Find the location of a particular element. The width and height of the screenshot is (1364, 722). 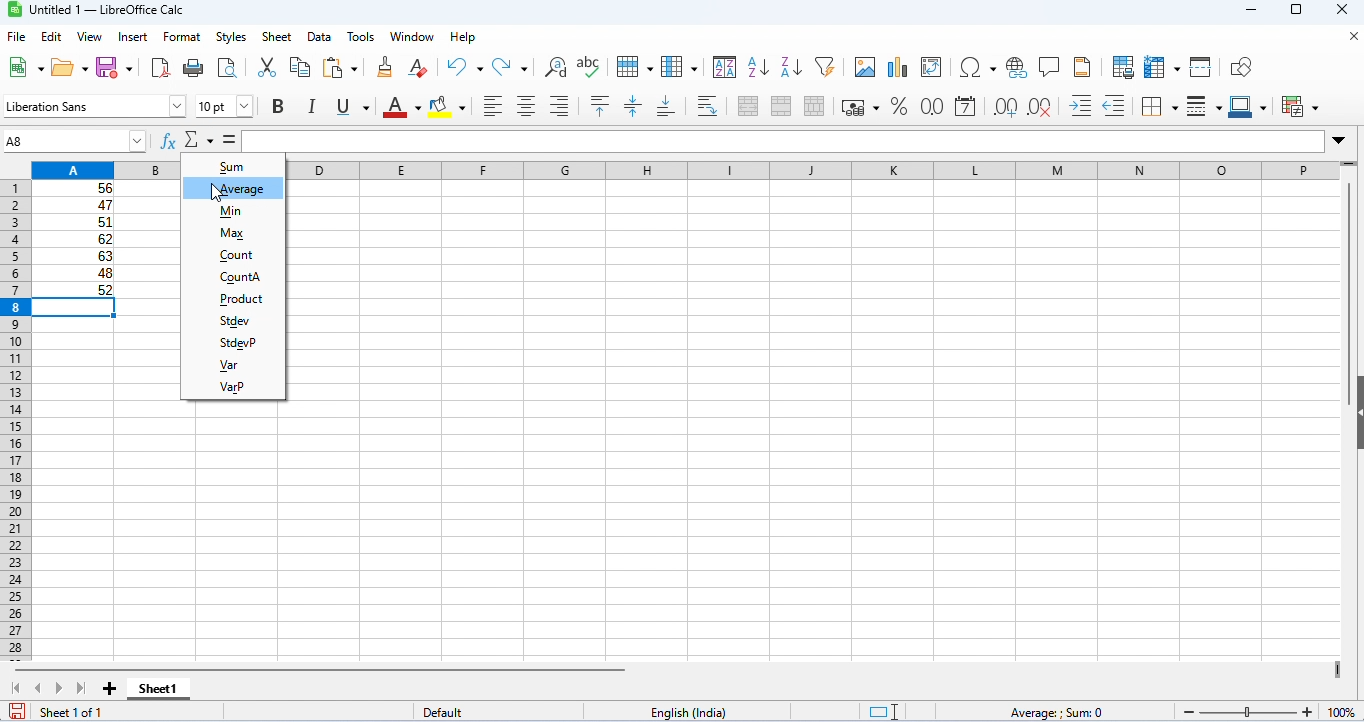

clone is located at coordinates (384, 66).